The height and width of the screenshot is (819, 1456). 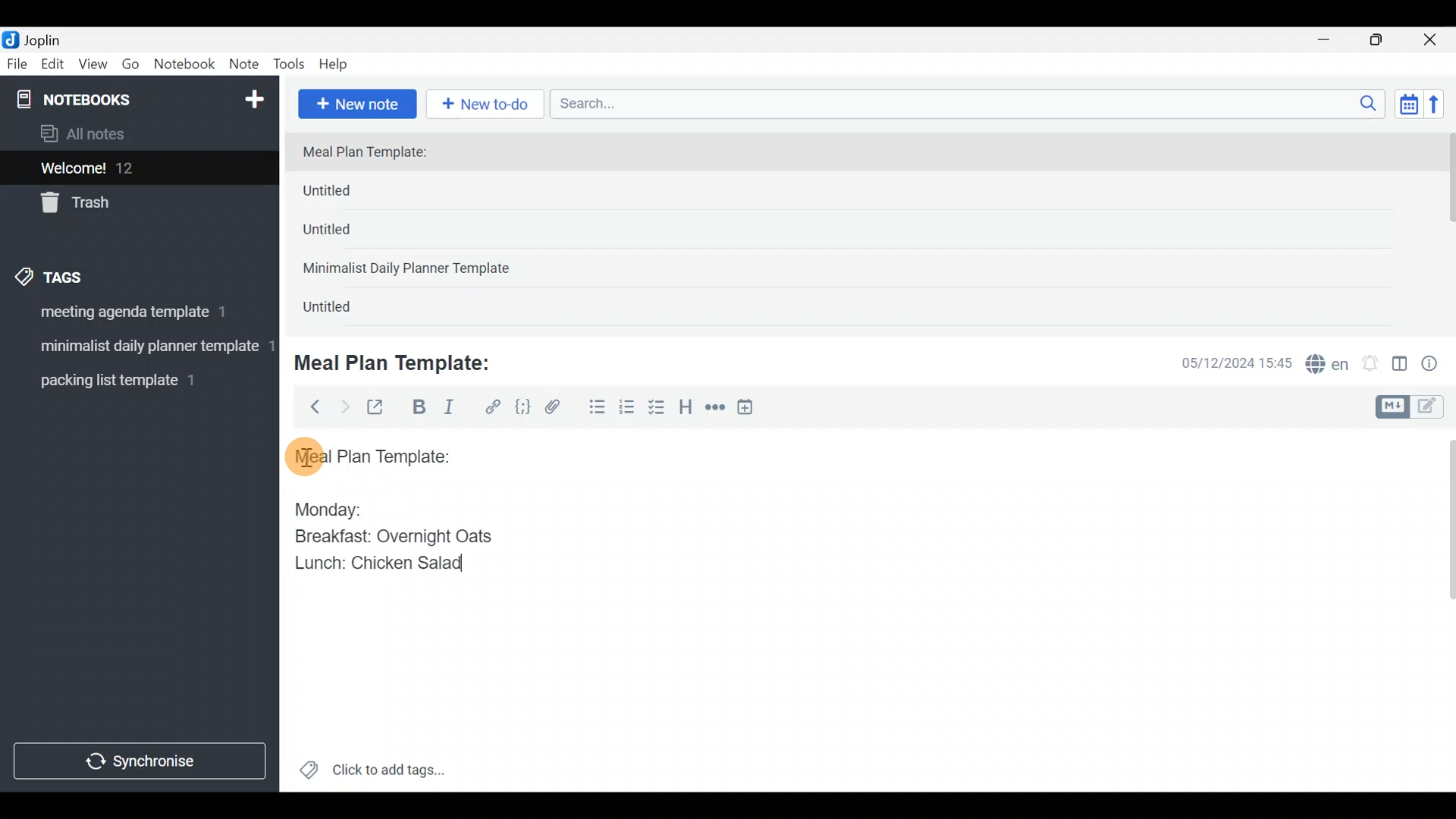 I want to click on Date & time, so click(x=1225, y=362).